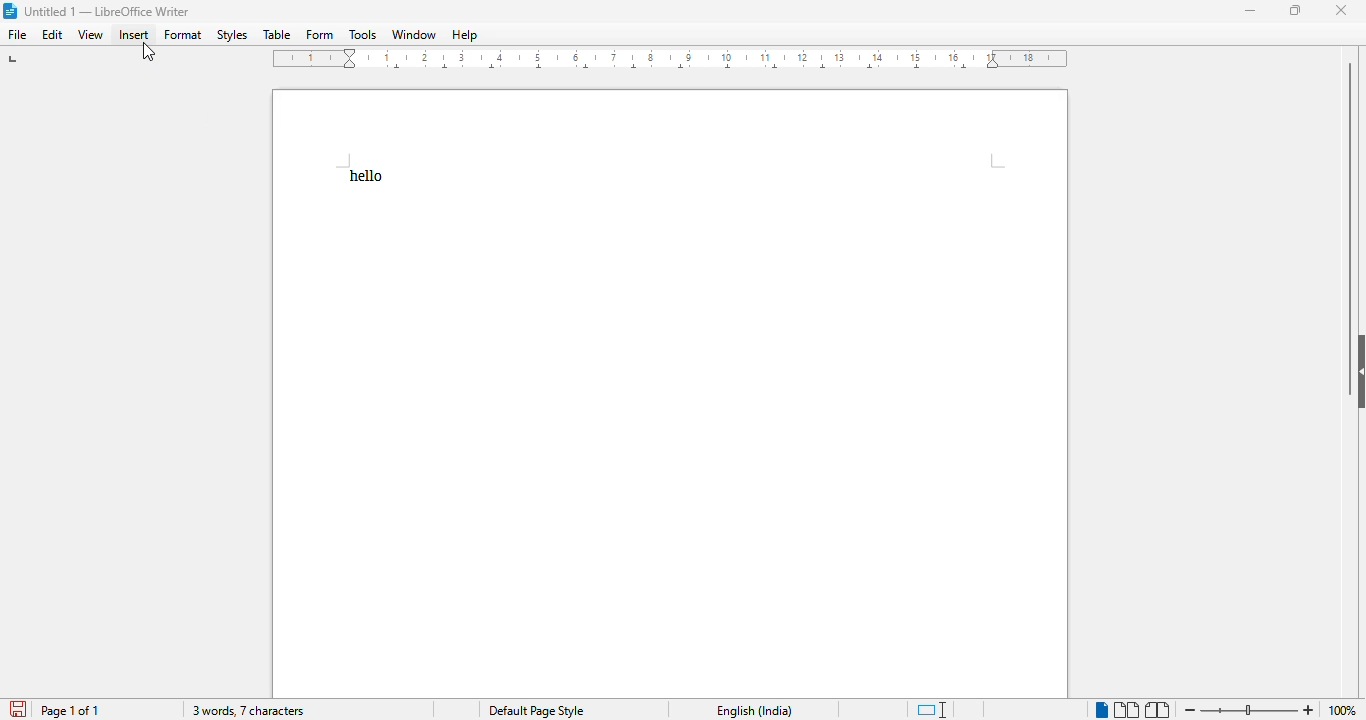 The image size is (1366, 720). What do you see at coordinates (248, 710) in the screenshot?
I see `3 words, 7 characters` at bounding box center [248, 710].